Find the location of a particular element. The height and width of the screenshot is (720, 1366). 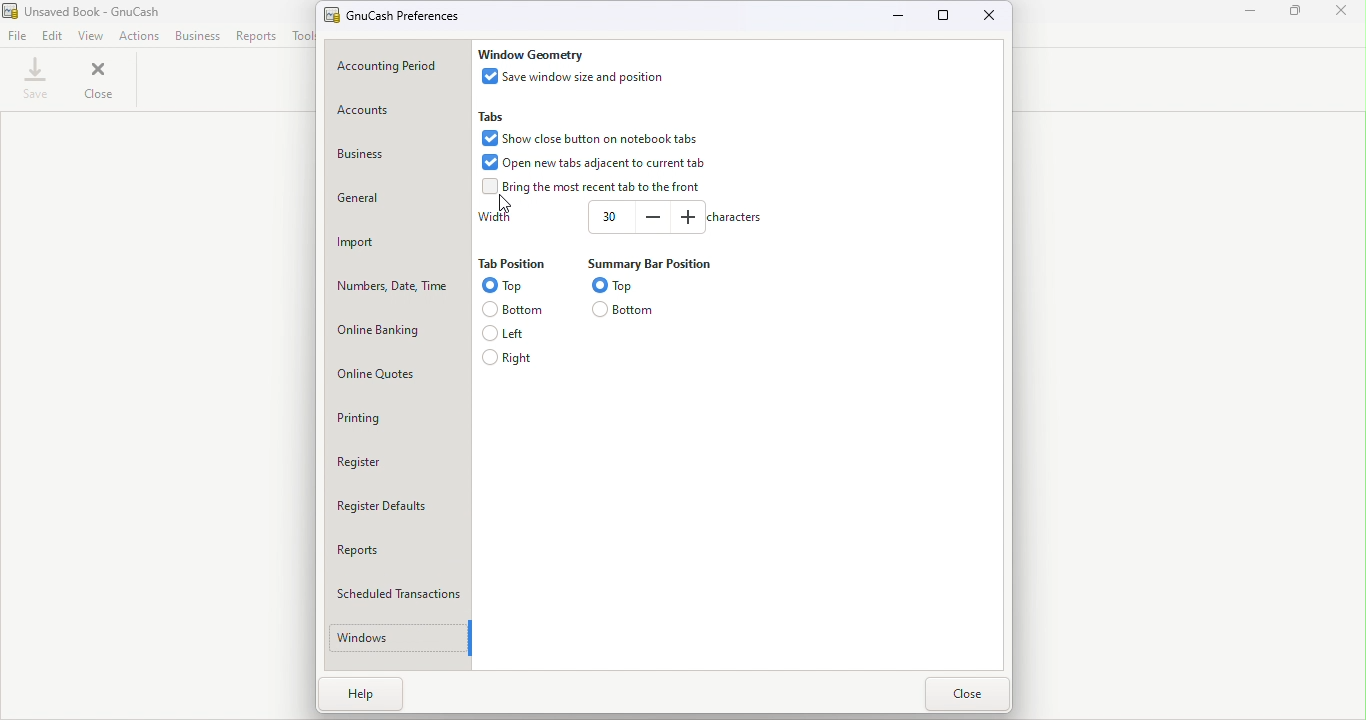

Reports is located at coordinates (400, 547).